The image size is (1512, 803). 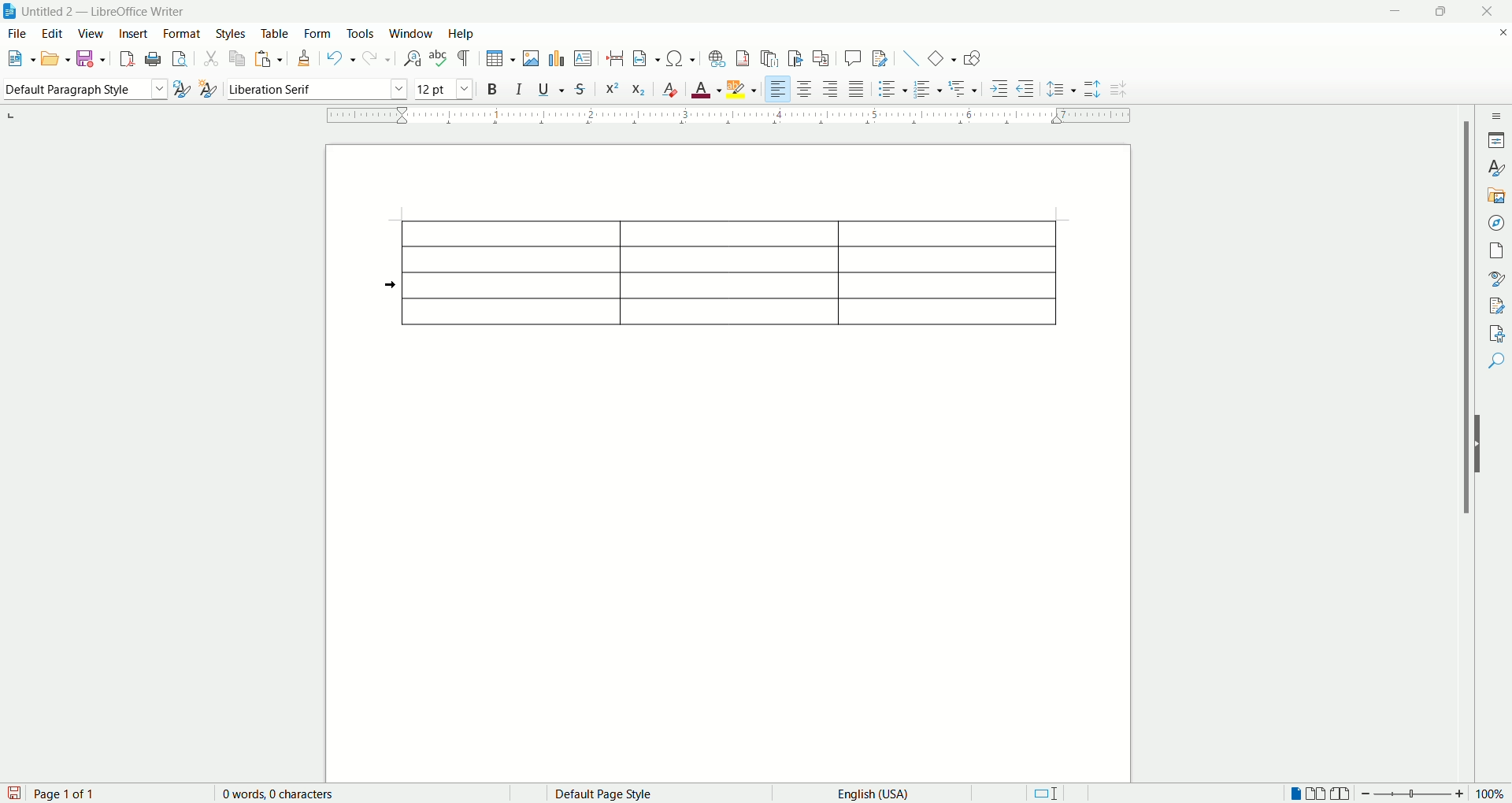 What do you see at coordinates (460, 35) in the screenshot?
I see `help` at bounding box center [460, 35].